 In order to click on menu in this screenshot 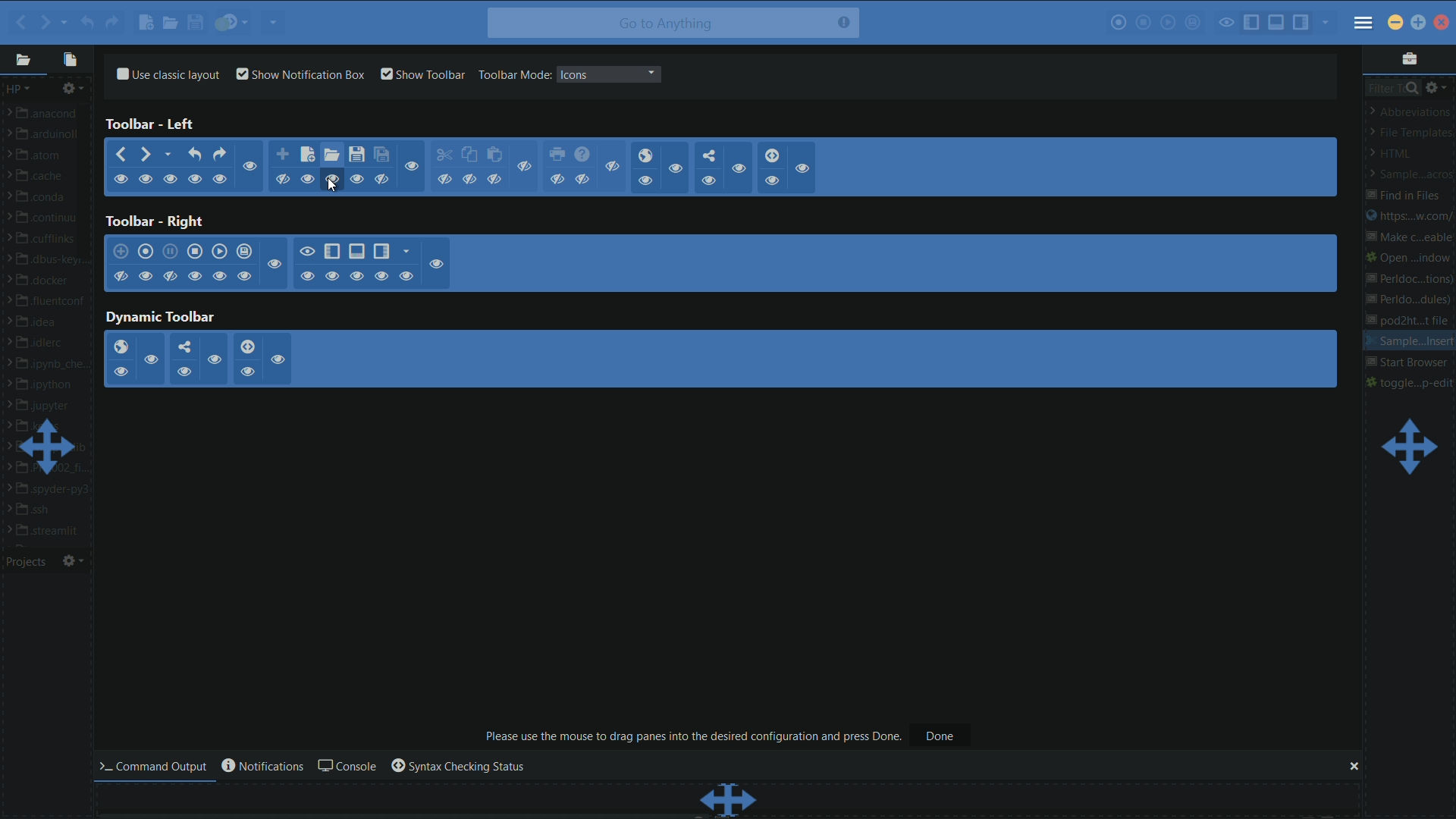, I will do `click(1364, 24)`.